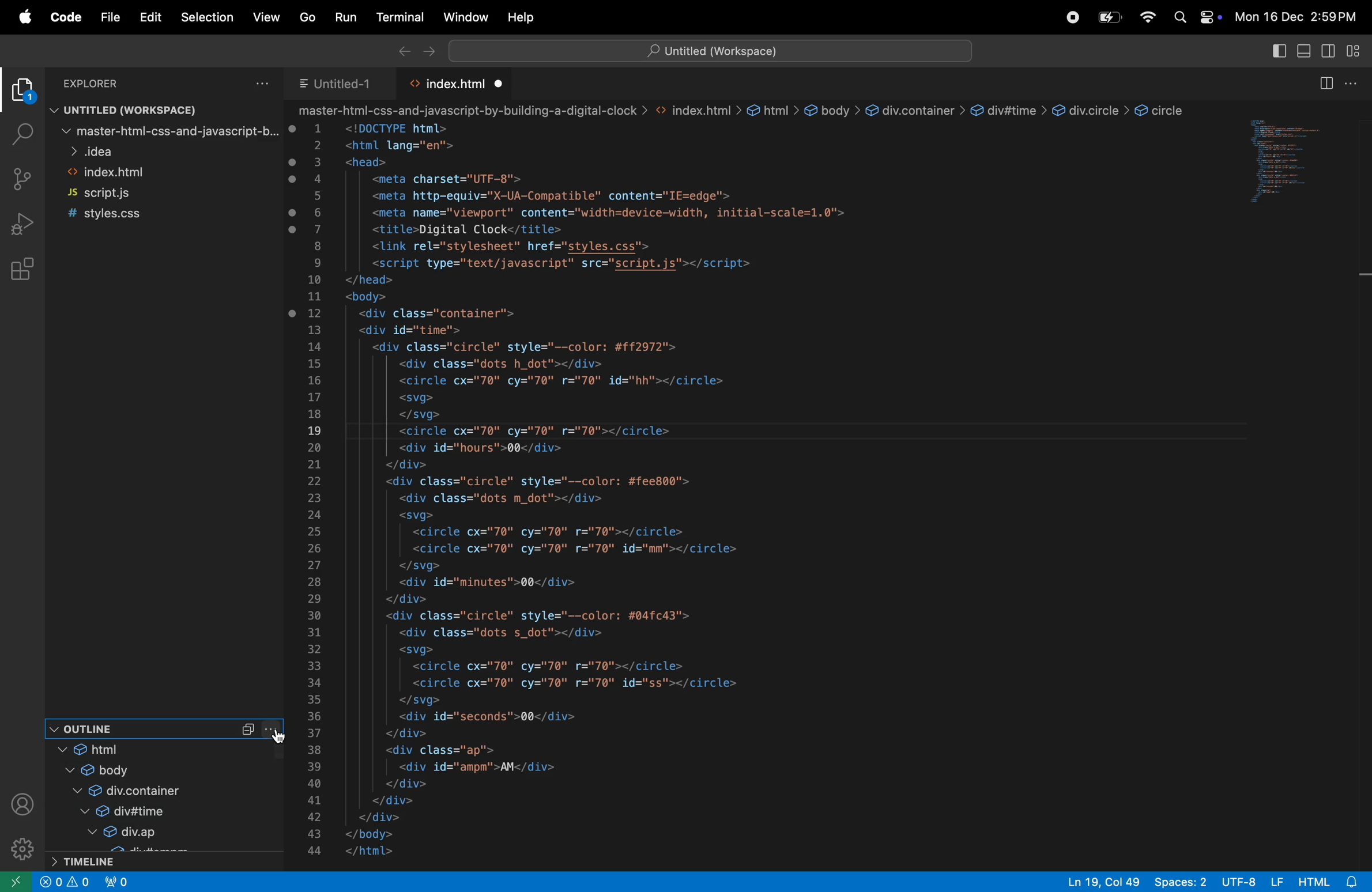 The image size is (1372, 892). What do you see at coordinates (710, 50) in the screenshot?
I see `untitled workspace` at bounding box center [710, 50].